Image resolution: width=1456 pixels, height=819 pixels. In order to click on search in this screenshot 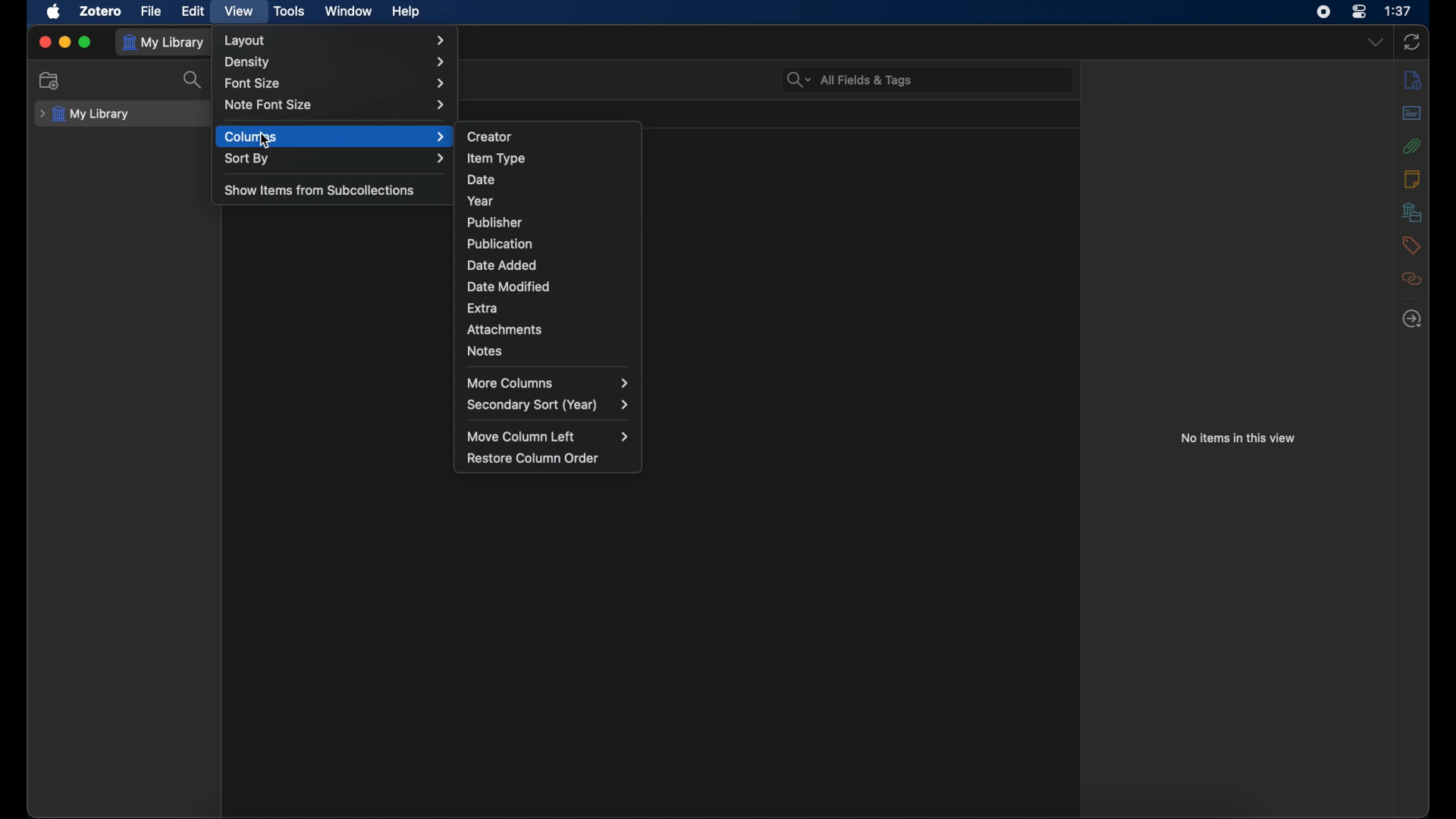, I will do `click(193, 83)`.